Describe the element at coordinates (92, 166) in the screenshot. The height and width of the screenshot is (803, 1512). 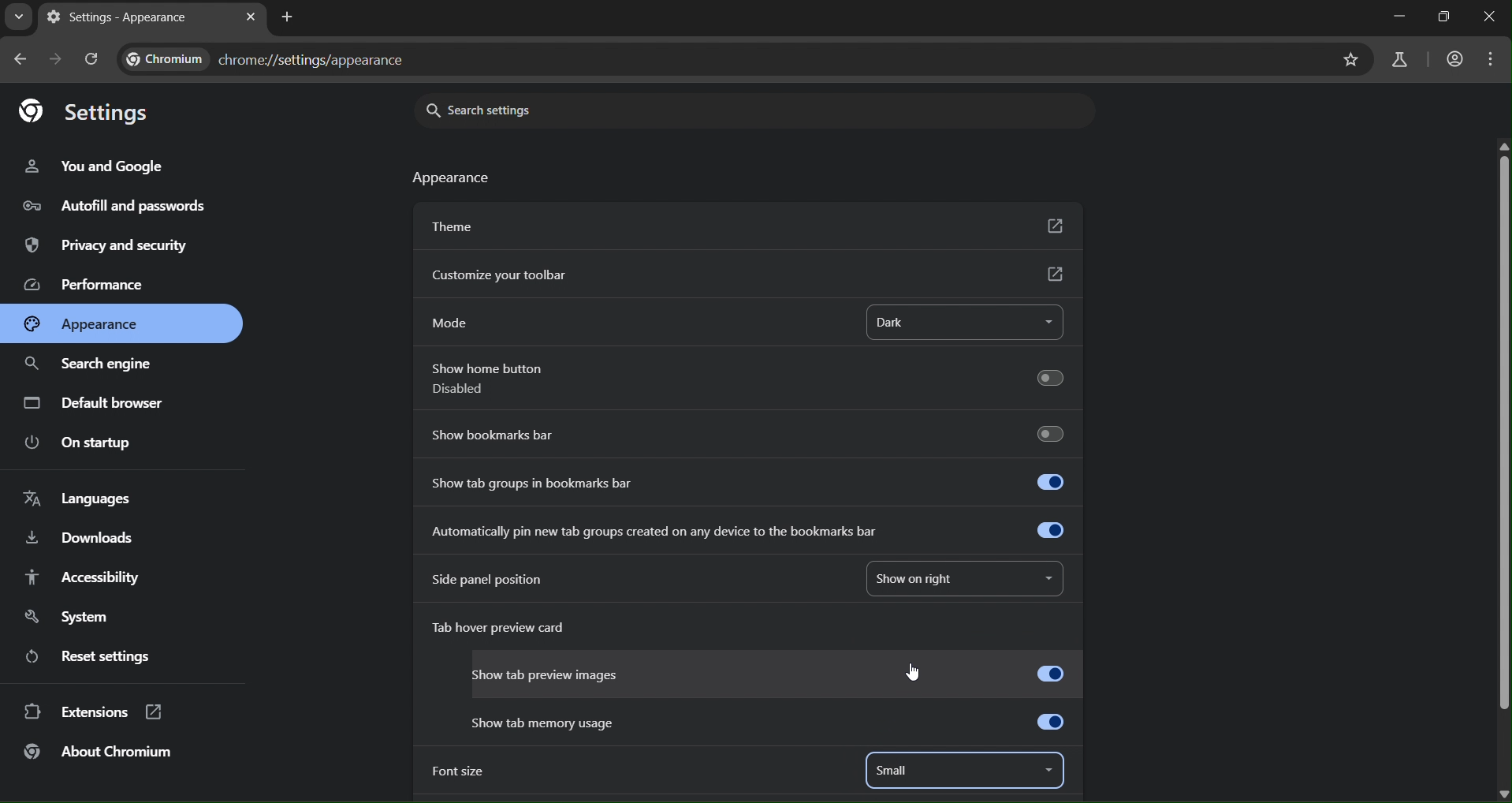
I see `you & google` at that location.